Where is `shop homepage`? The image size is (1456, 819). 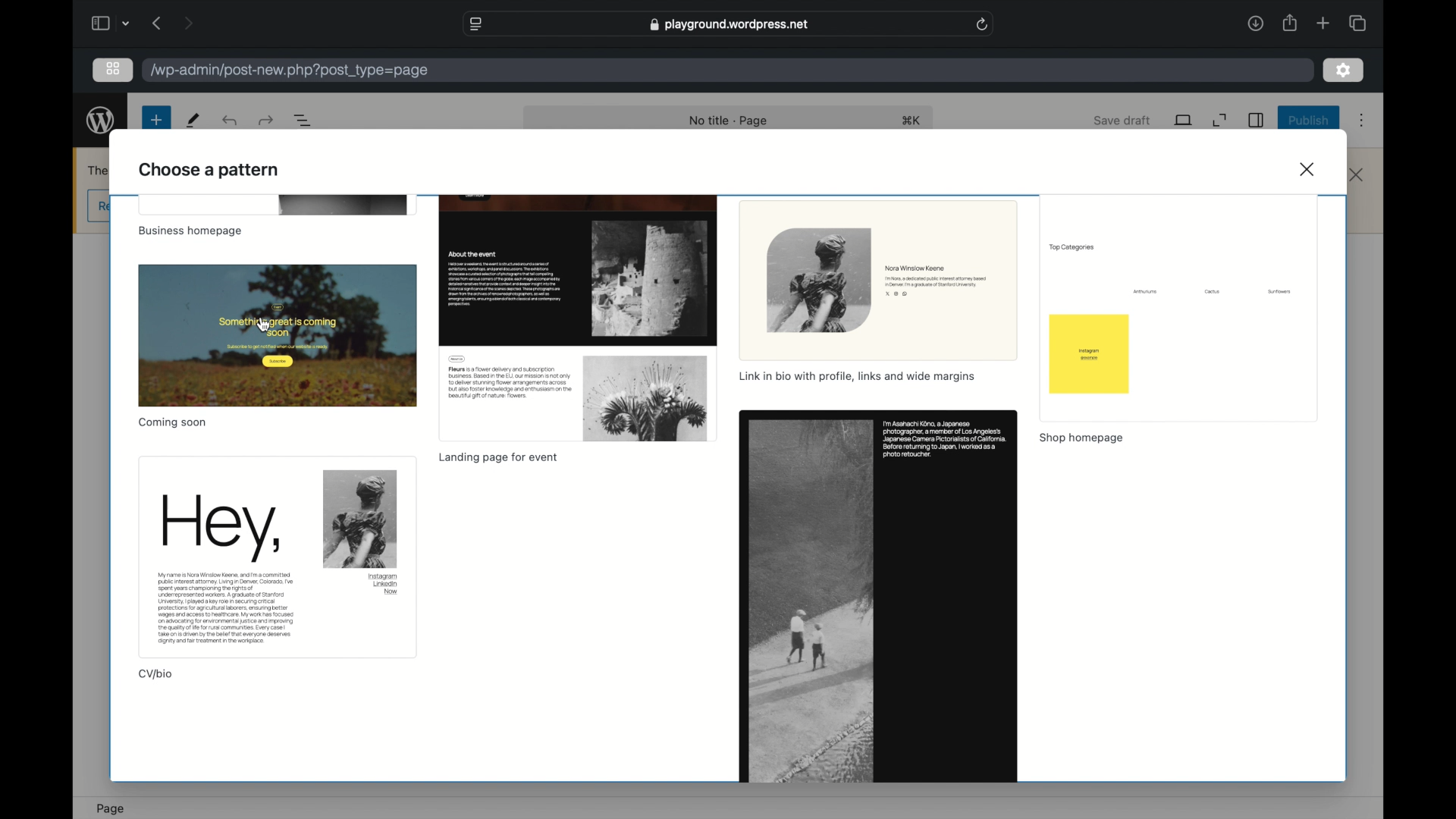
shop homepage is located at coordinates (1087, 438).